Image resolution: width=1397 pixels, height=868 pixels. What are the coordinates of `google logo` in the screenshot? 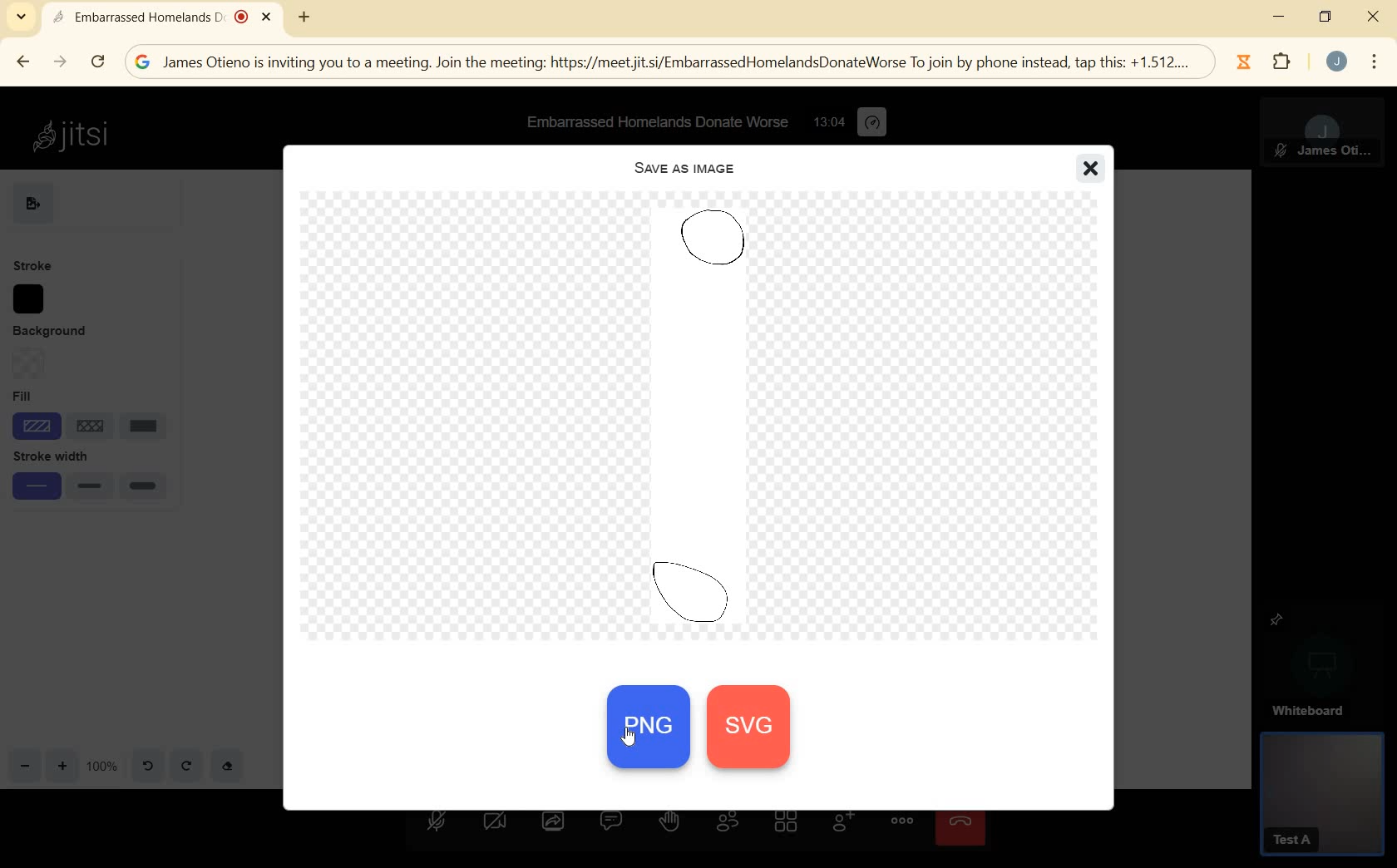 It's located at (143, 62).